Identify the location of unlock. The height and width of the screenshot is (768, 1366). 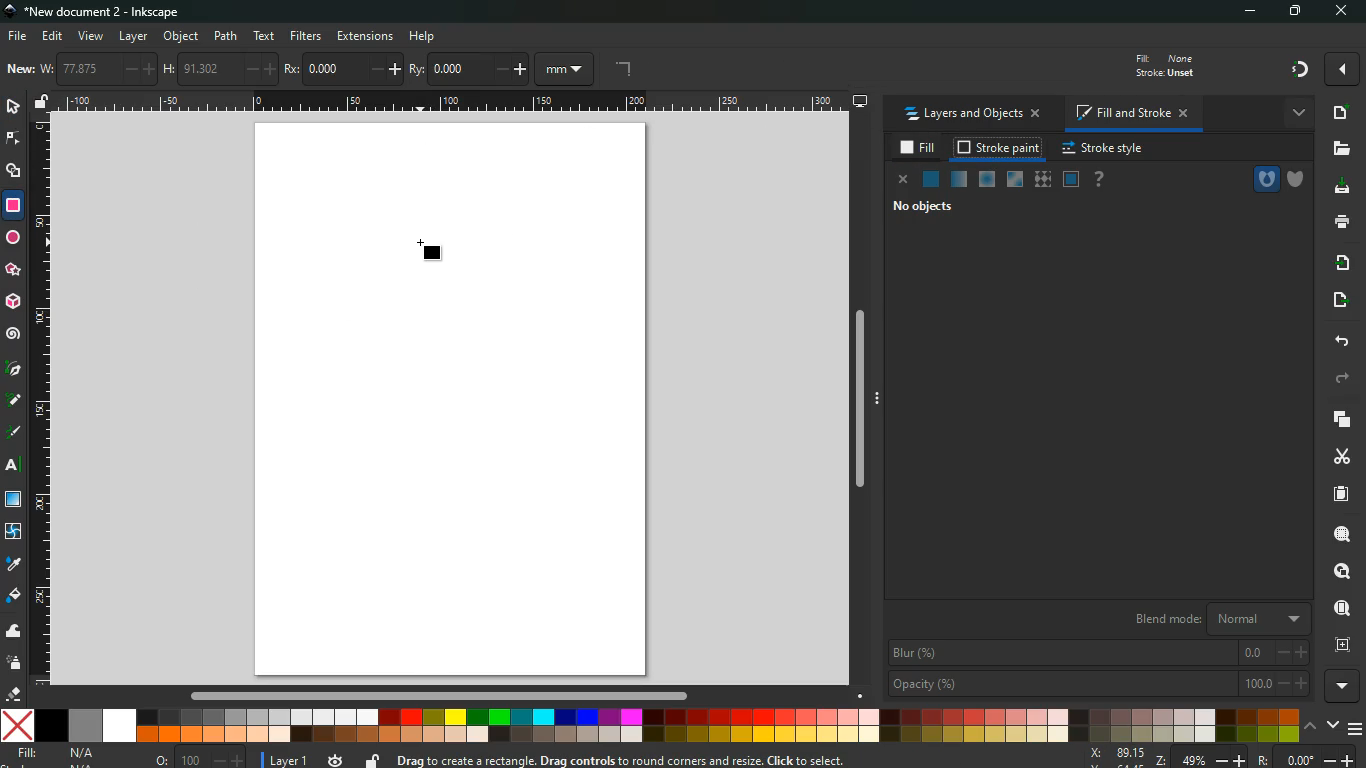
(369, 760).